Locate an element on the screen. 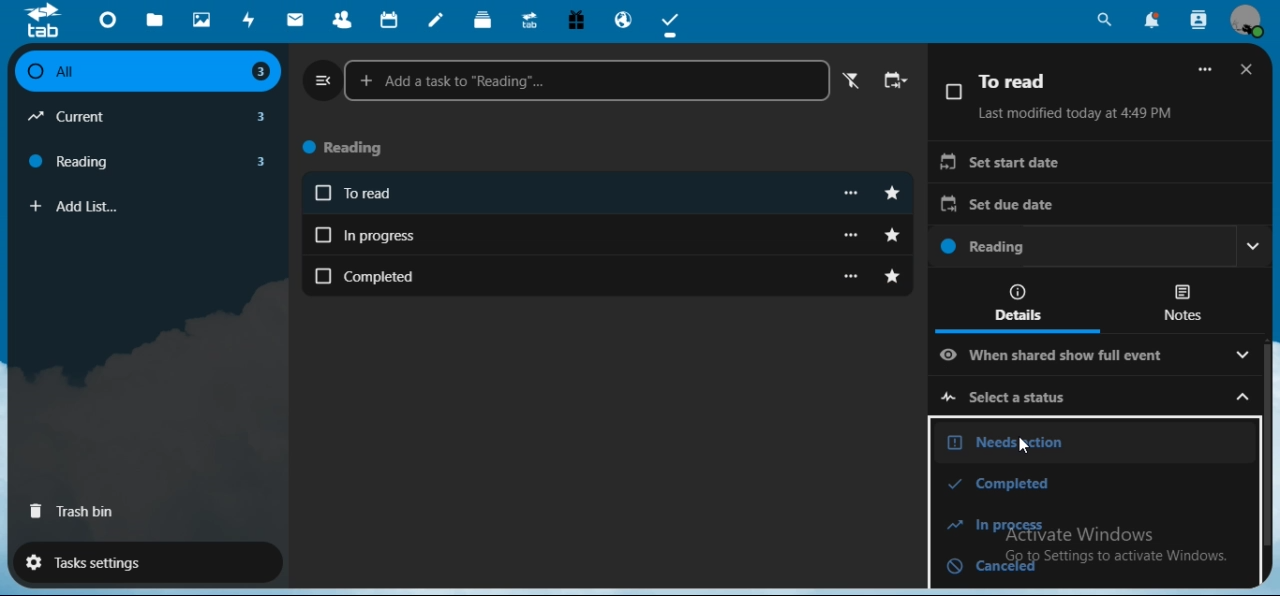  dashboard is located at coordinates (107, 19).